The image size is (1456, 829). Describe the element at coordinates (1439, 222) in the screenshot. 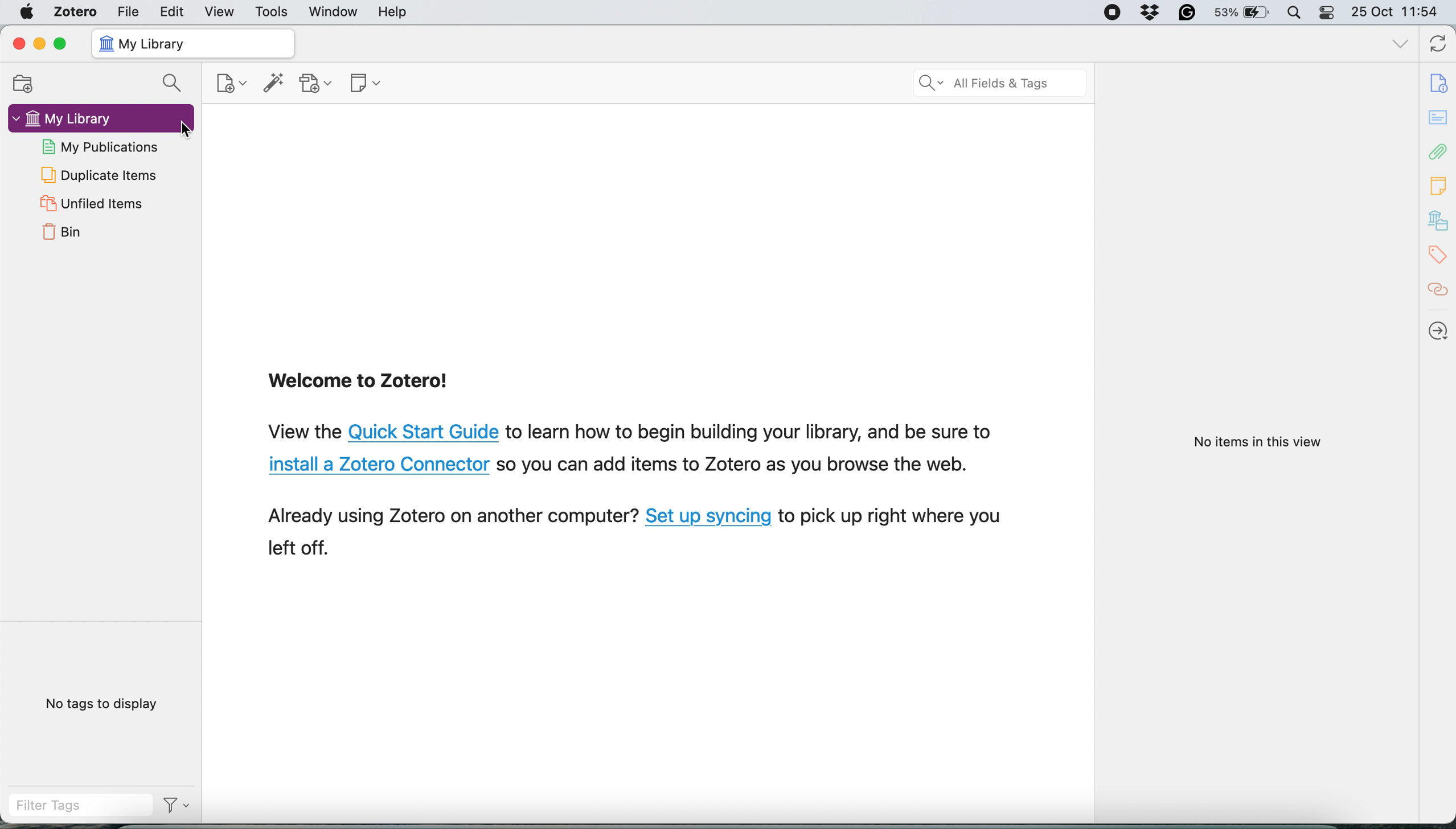

I see `library` at that location.